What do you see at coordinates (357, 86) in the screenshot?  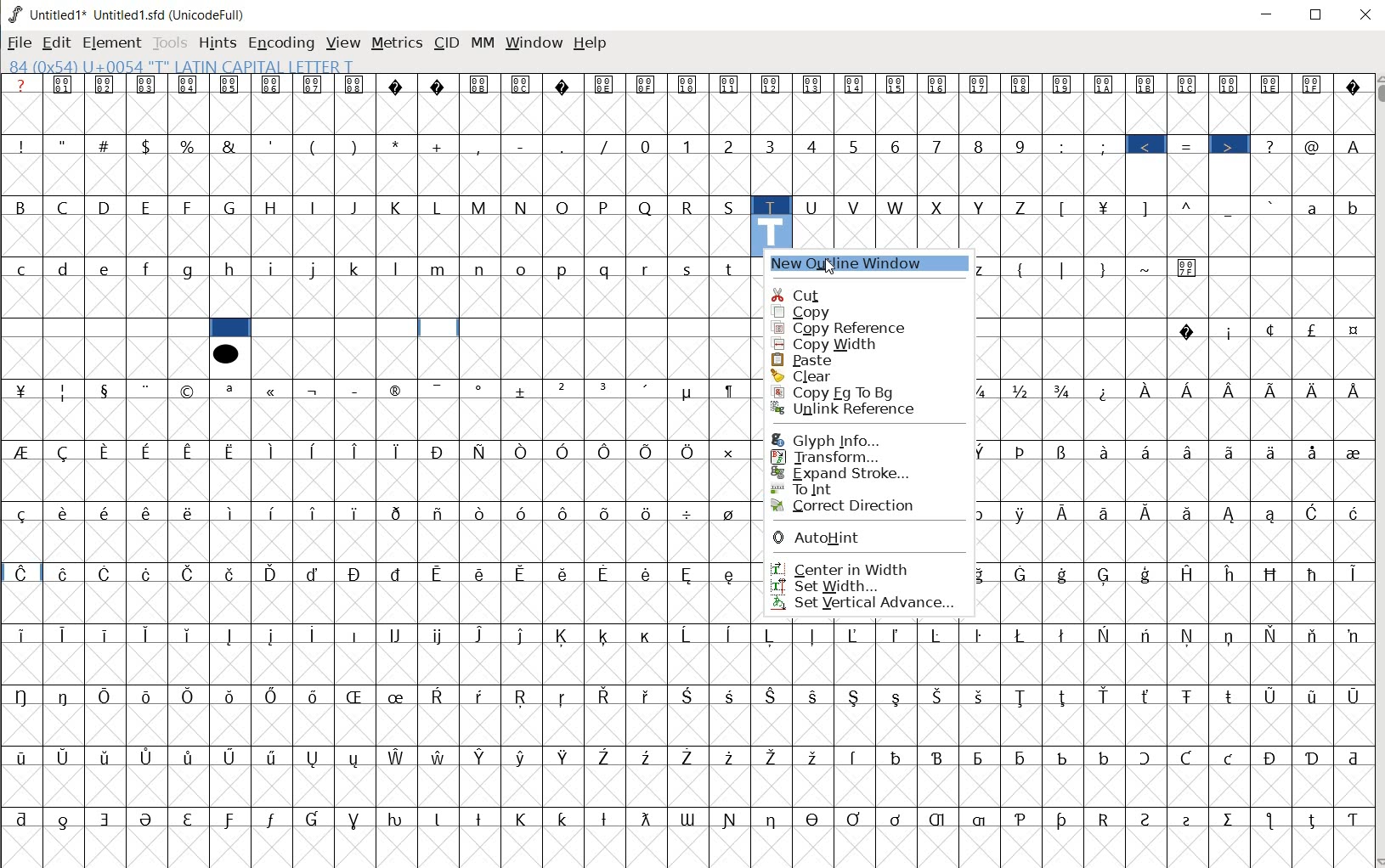 I see `Symbol` at bounding box center [357, 86].